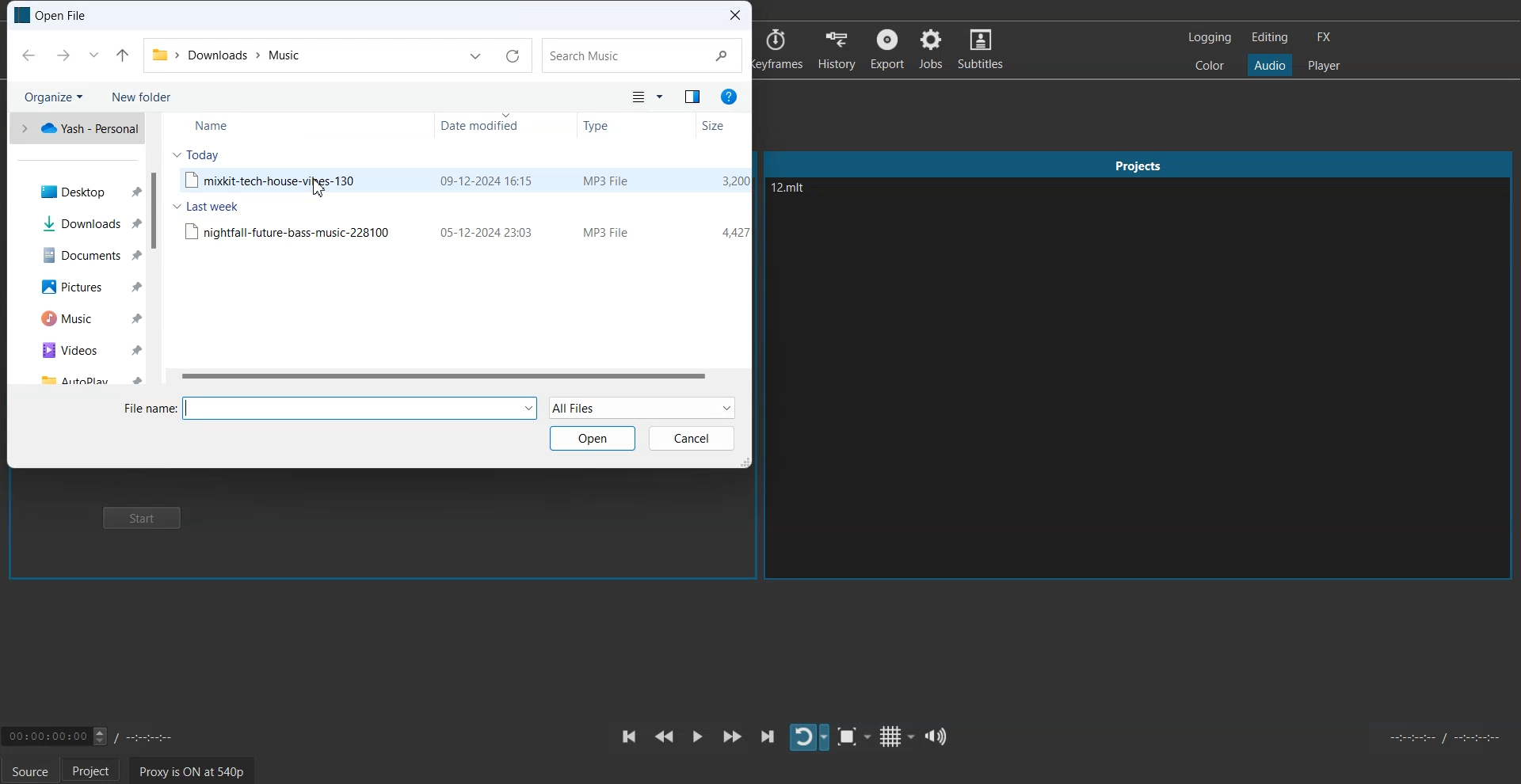 The width and height of the screenshot is (1521, 784). What do you see at coordinates (226, 53) in the screenshot?
I see `File Path Address` at bounding box center [226, 53].